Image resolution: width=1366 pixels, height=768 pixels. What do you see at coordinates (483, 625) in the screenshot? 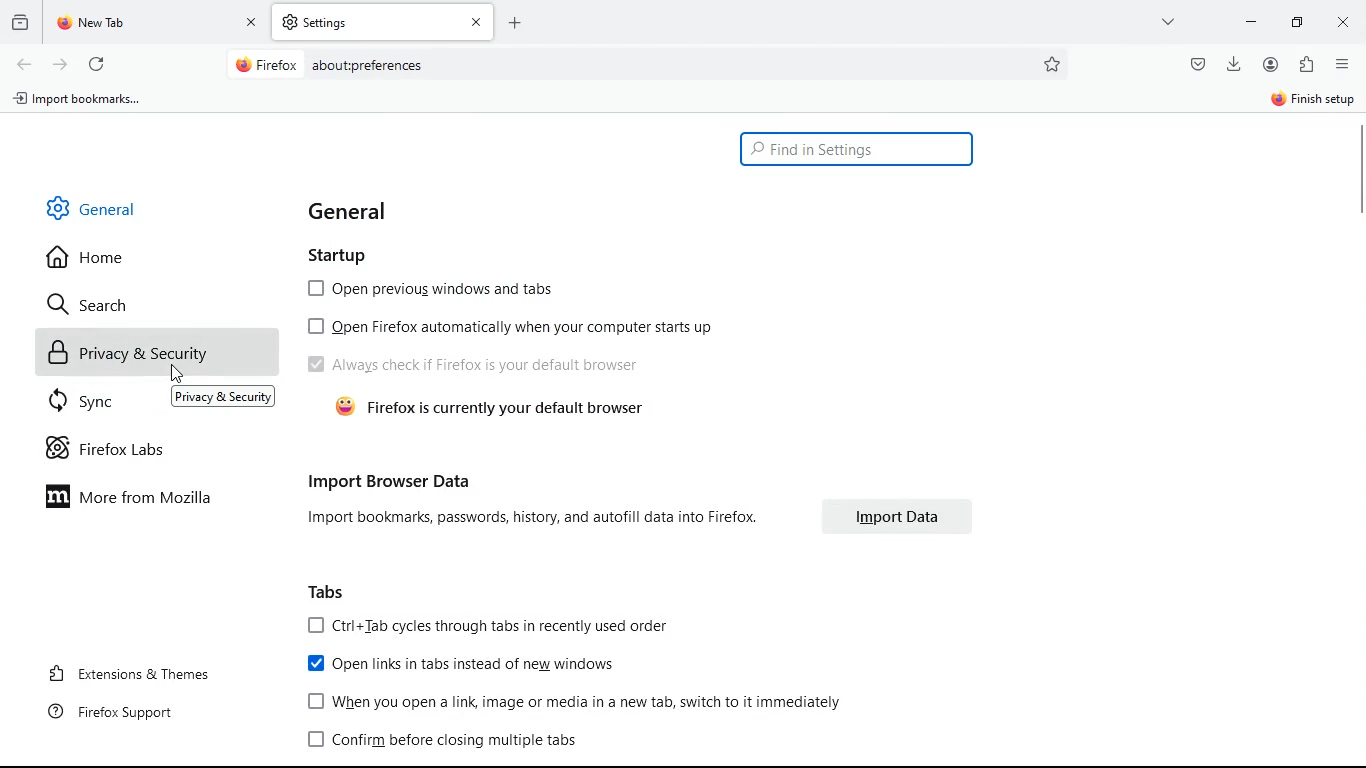
I see `[J Ctrl+Tab cycles through tabs in recently used order` at bounding box center [483, 625].